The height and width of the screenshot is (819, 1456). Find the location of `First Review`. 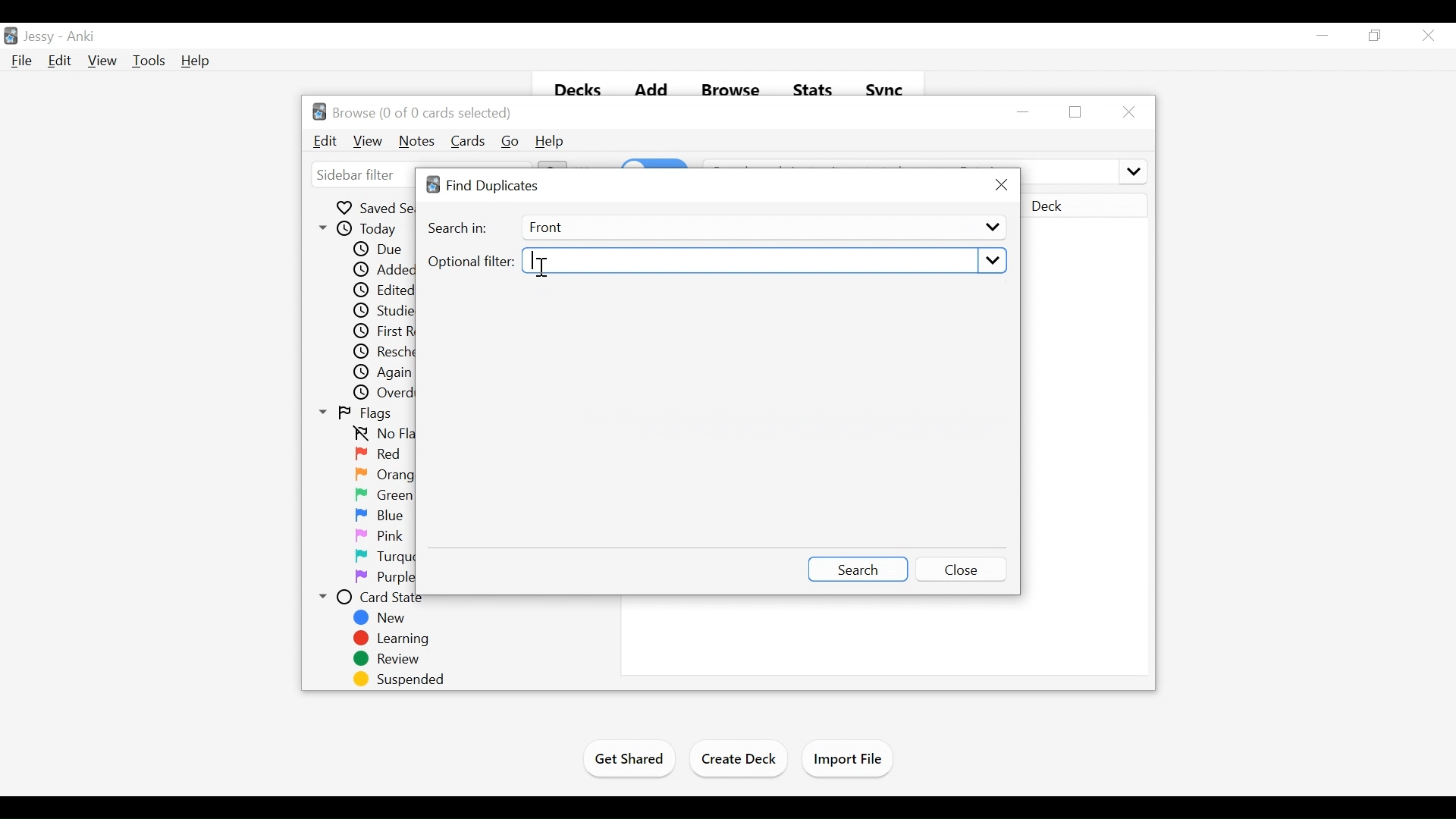

First Review is located at coordinates (383, 331).